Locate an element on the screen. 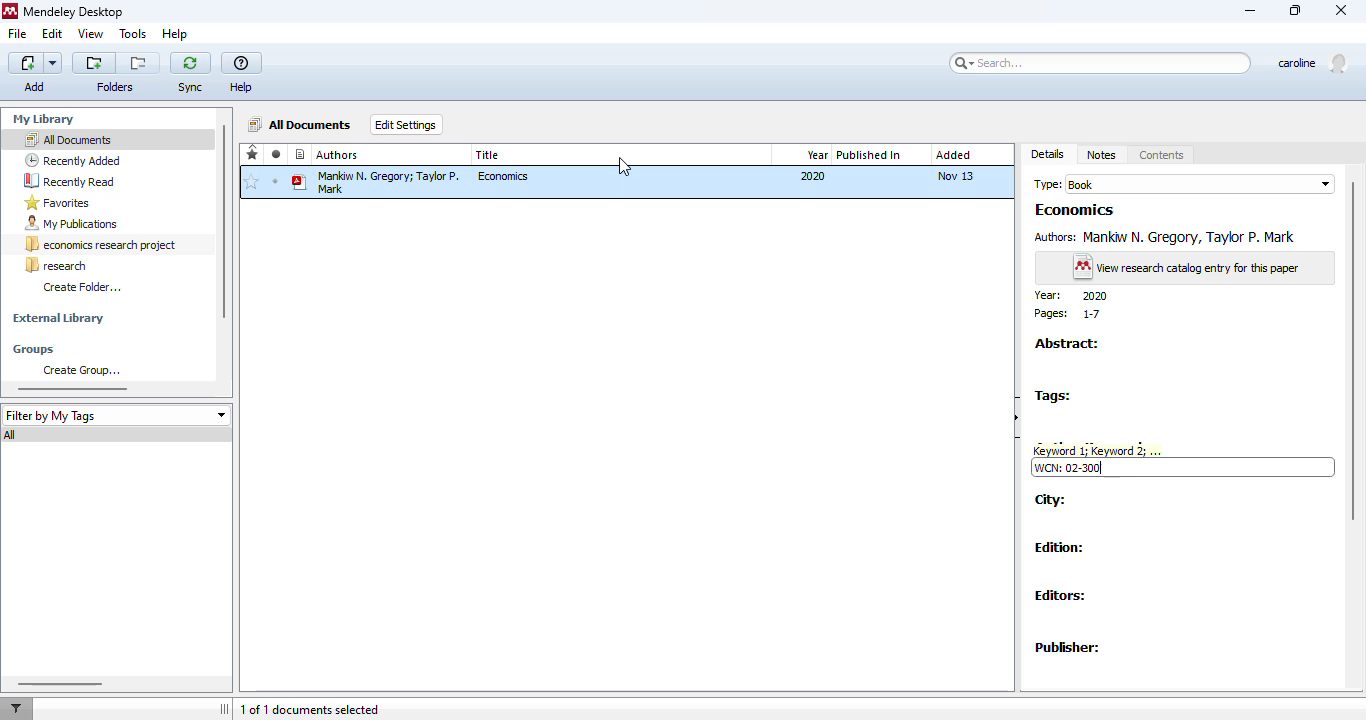 The height and width of the screenshot is (720, 1366). favorites is located at coordinates (57, 203).